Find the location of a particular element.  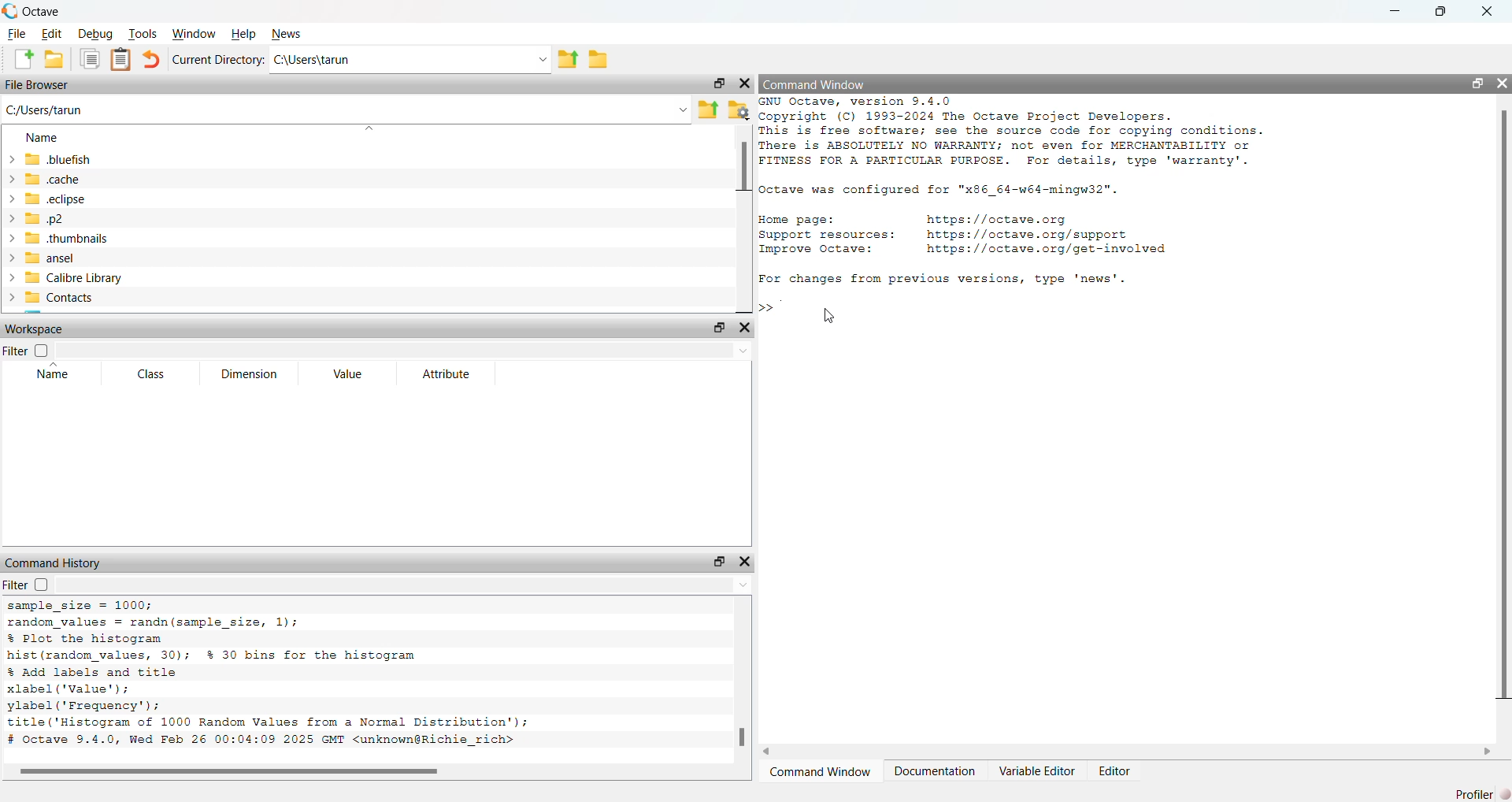

Name is located at coordinates (51, 372).